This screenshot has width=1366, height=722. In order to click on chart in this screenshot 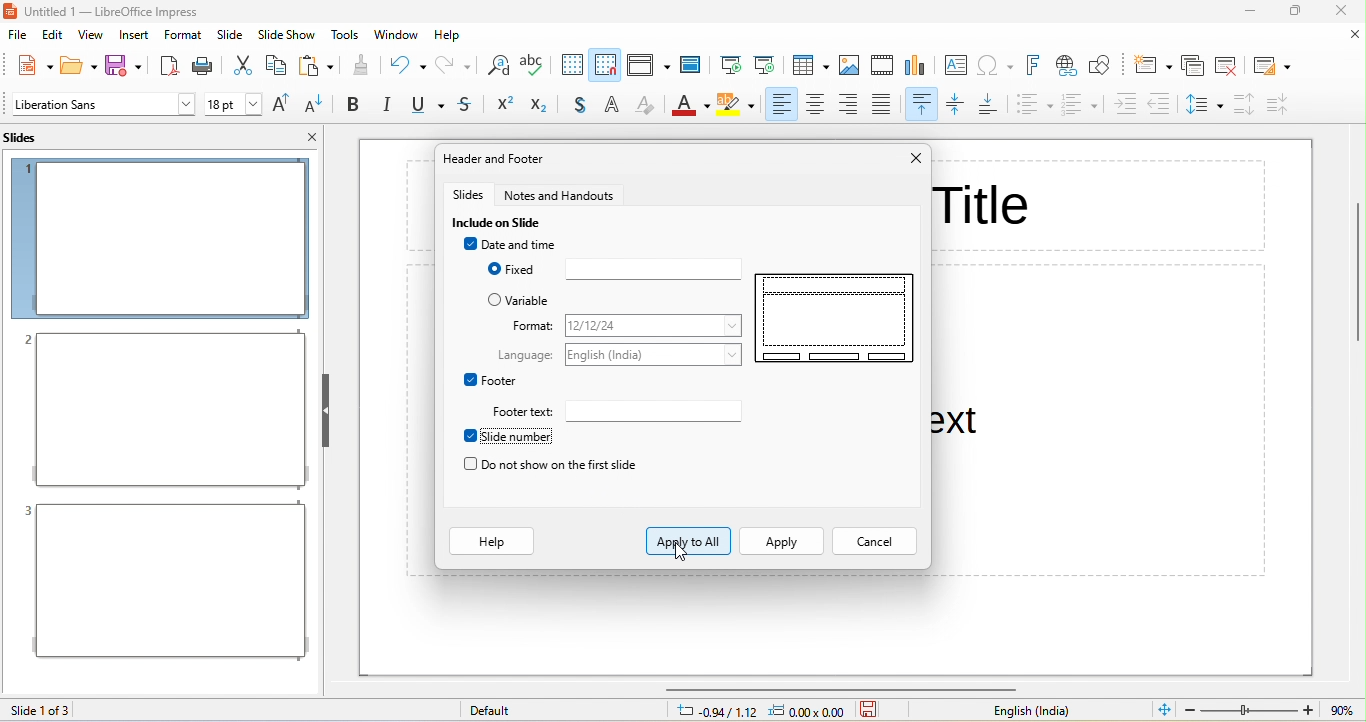, I will do `click(919, 67)`.